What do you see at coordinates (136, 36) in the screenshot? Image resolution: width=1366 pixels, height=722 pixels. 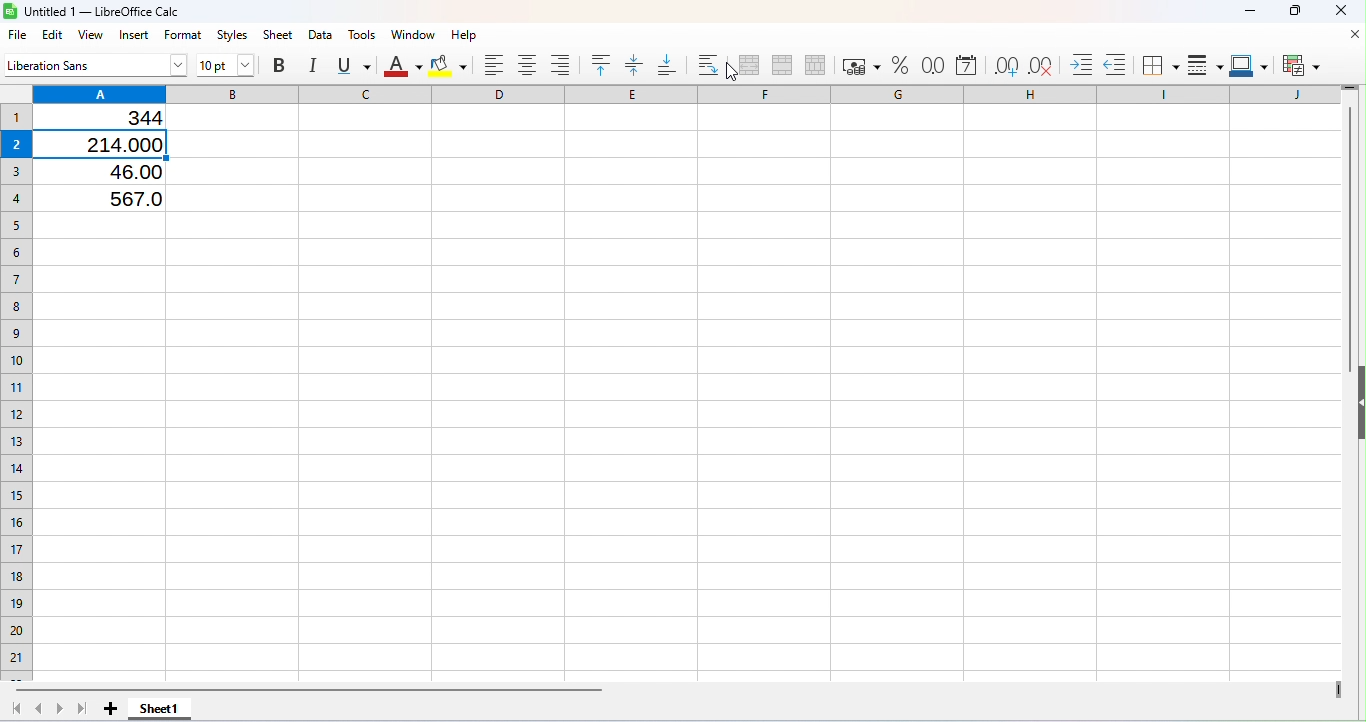 I see `Insert` at bounding box center [136, 36].